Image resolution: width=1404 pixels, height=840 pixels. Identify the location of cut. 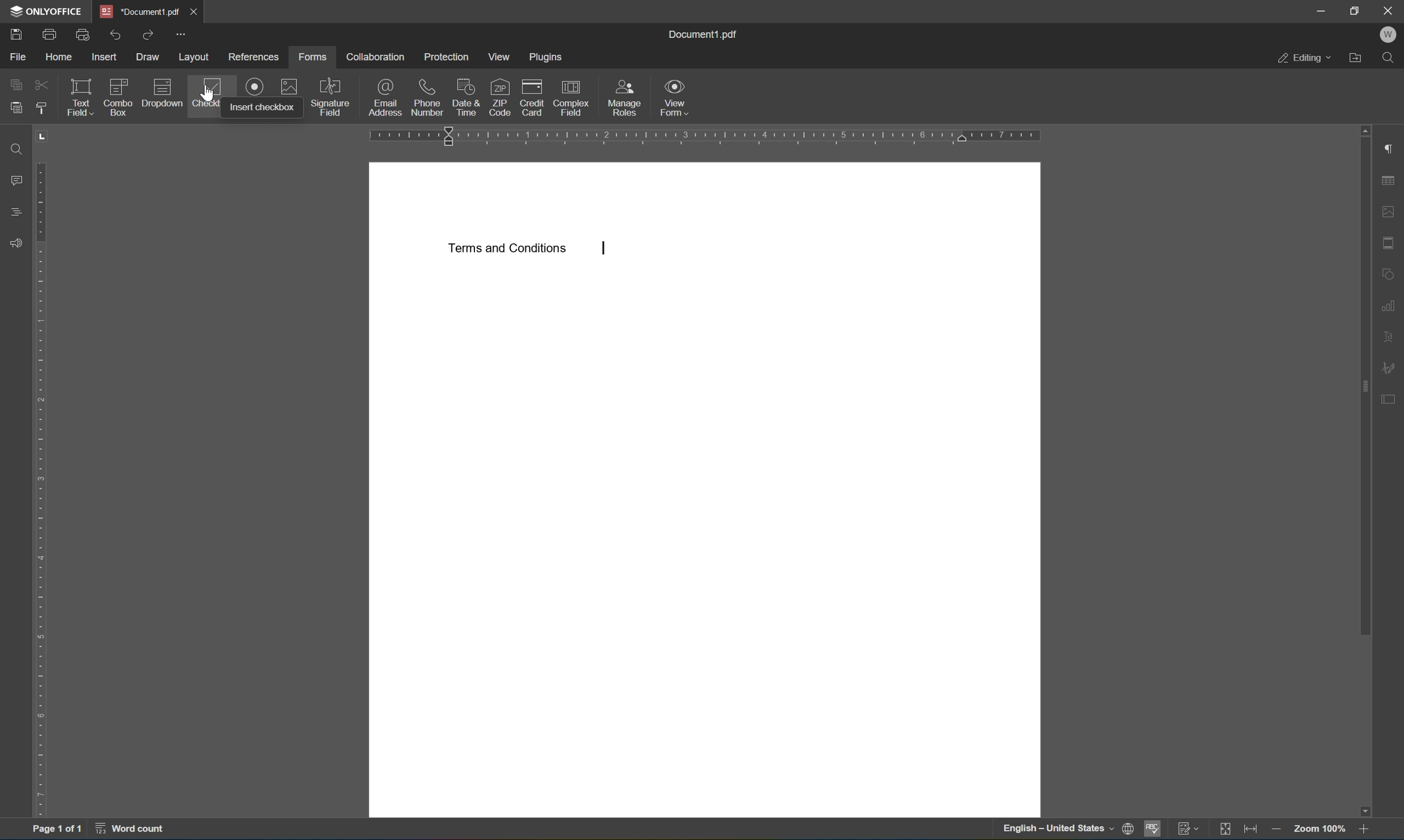
(42, 86).